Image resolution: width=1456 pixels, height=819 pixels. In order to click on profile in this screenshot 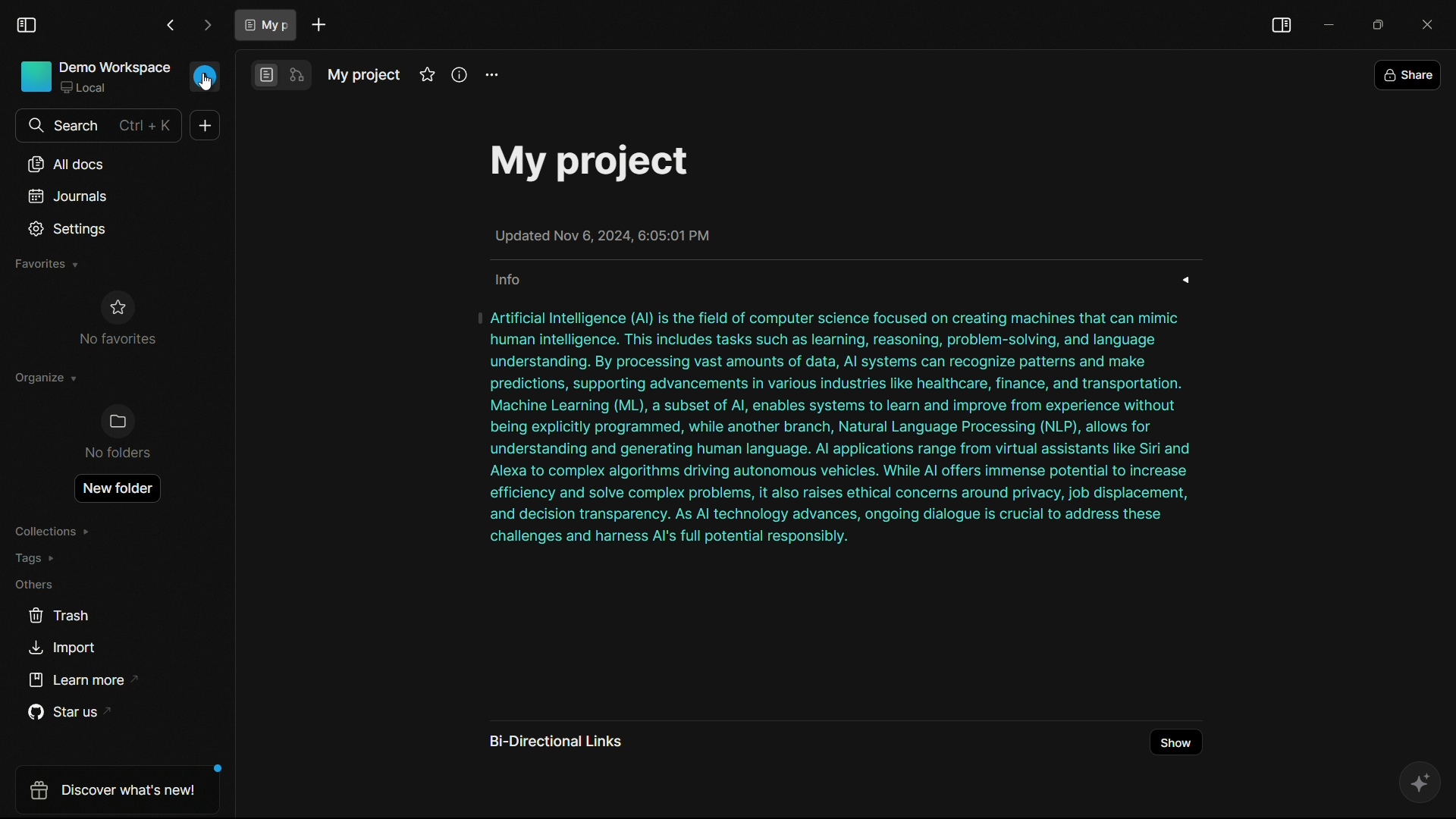, I will do `click(204, 77)`.